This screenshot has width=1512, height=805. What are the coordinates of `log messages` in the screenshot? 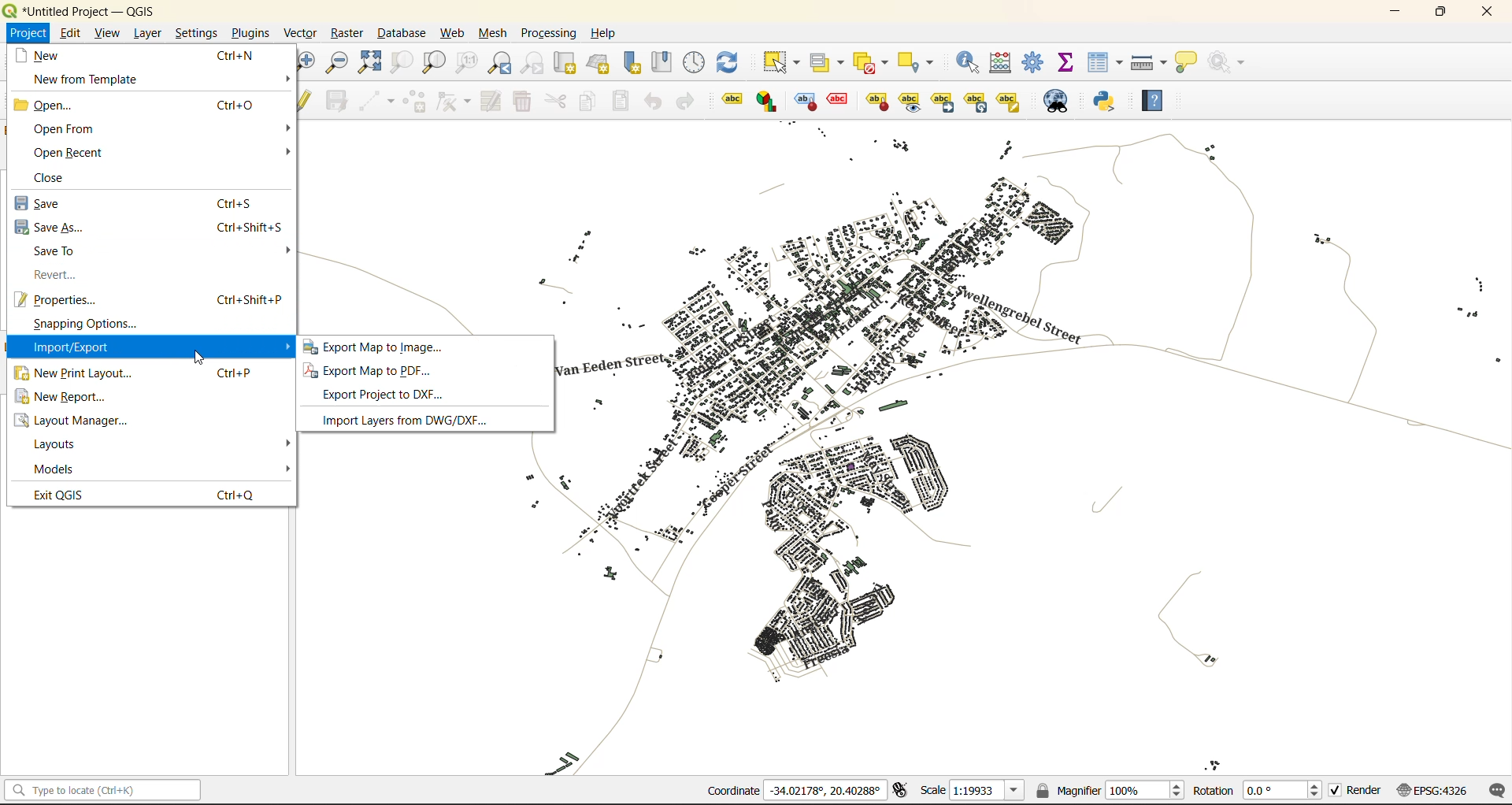 It's located at (1494, 791).